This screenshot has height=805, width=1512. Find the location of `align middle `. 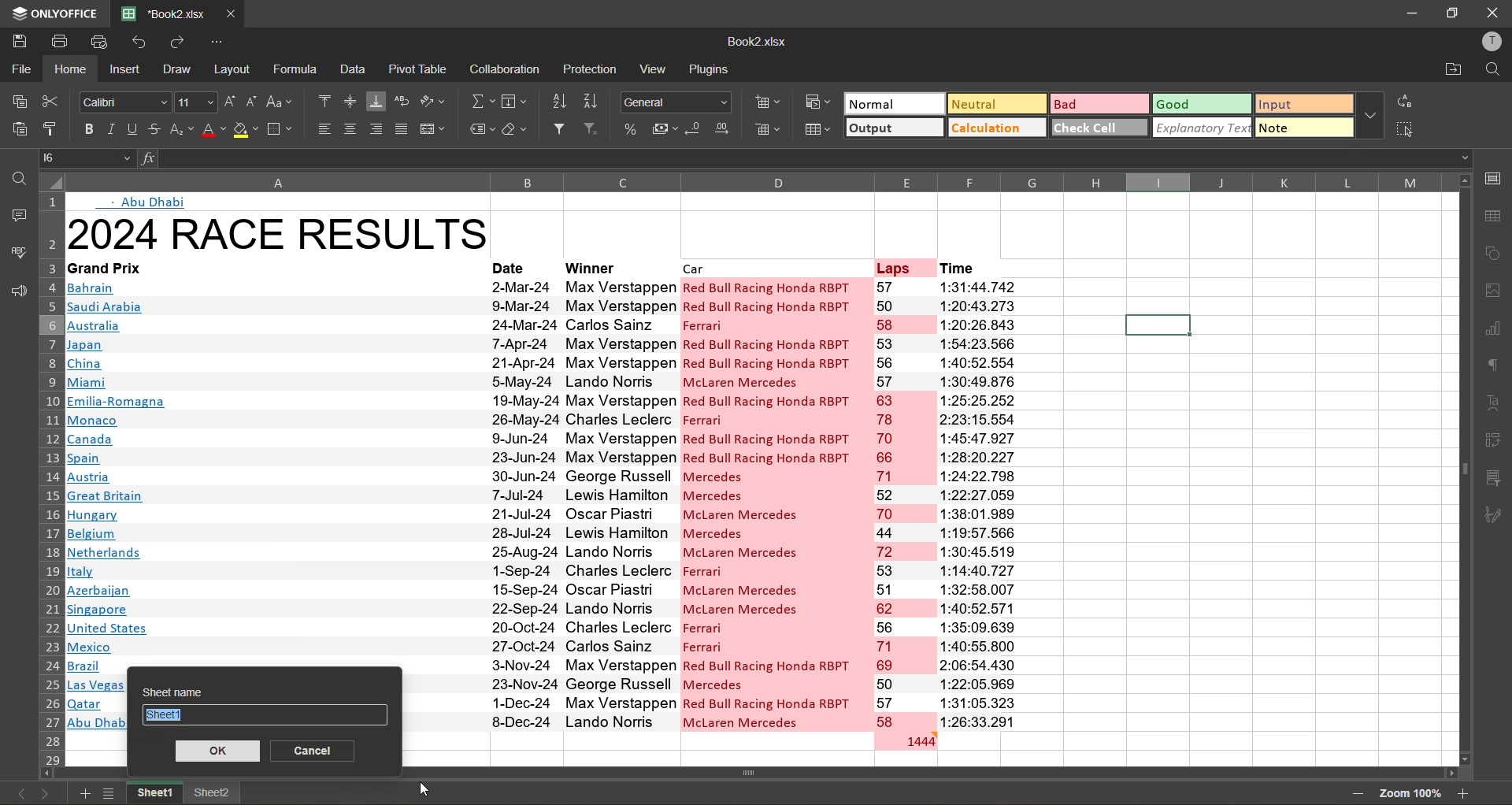

align middle  is located at coordinates (353, 101).